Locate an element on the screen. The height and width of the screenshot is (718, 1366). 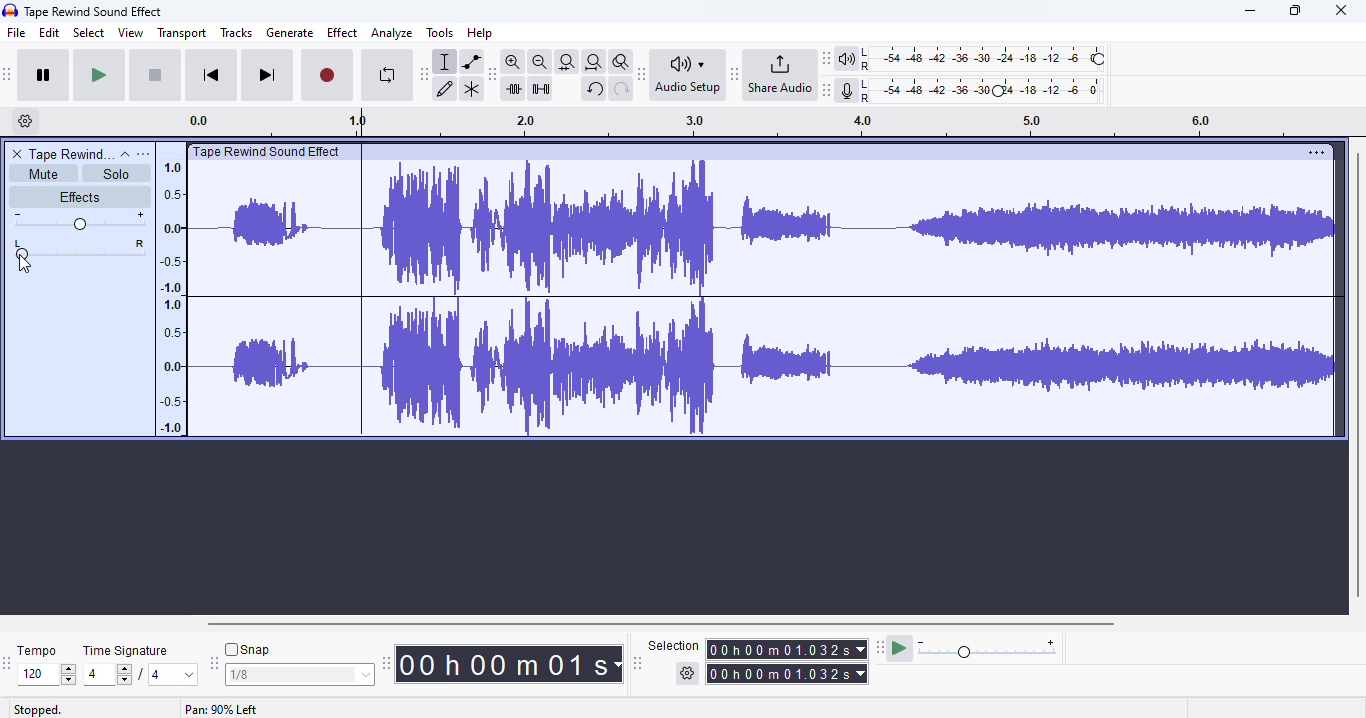
help is located at coordinates (479, 33).